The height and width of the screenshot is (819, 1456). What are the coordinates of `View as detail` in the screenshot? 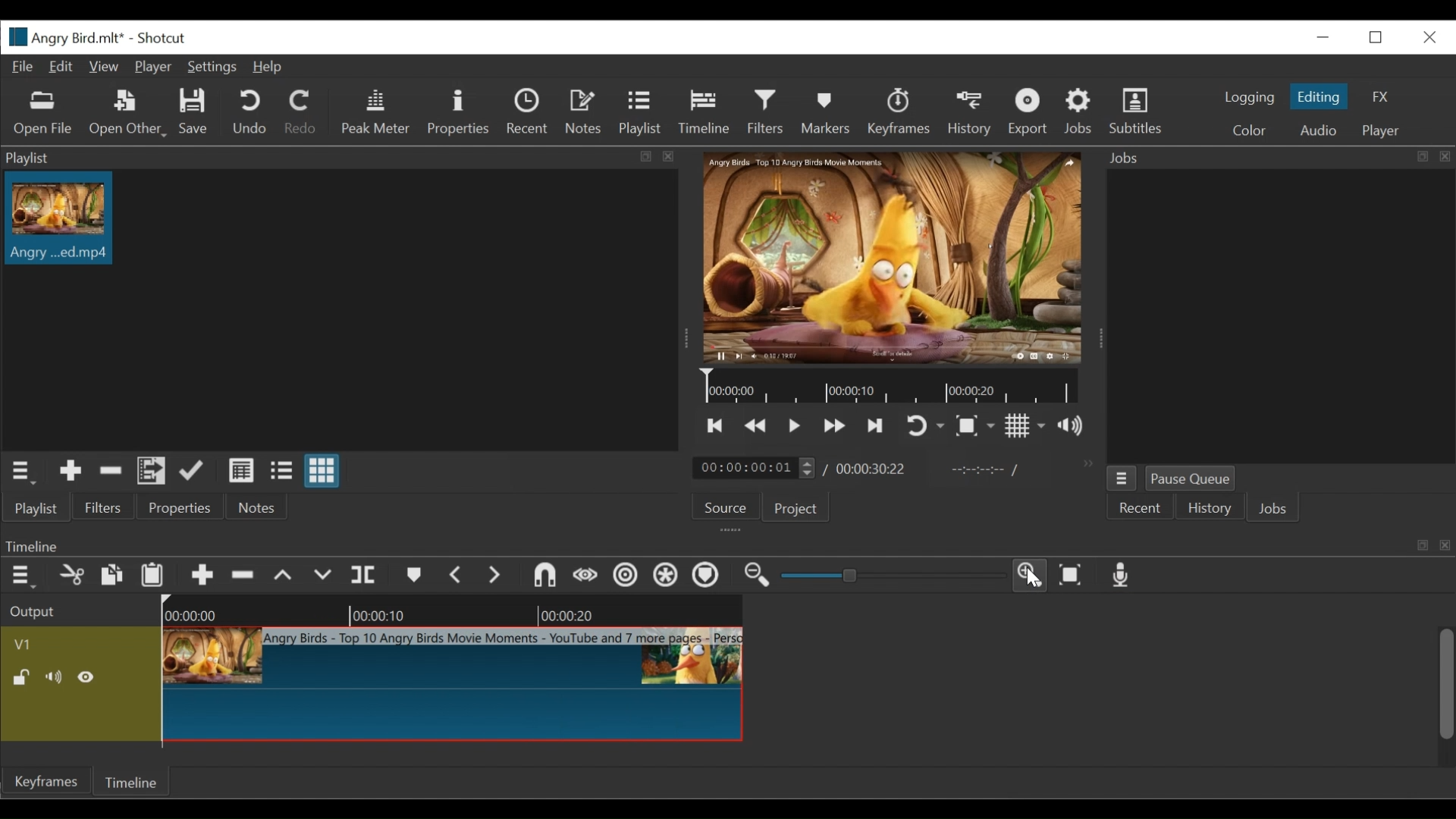 It's located at (242, 472).